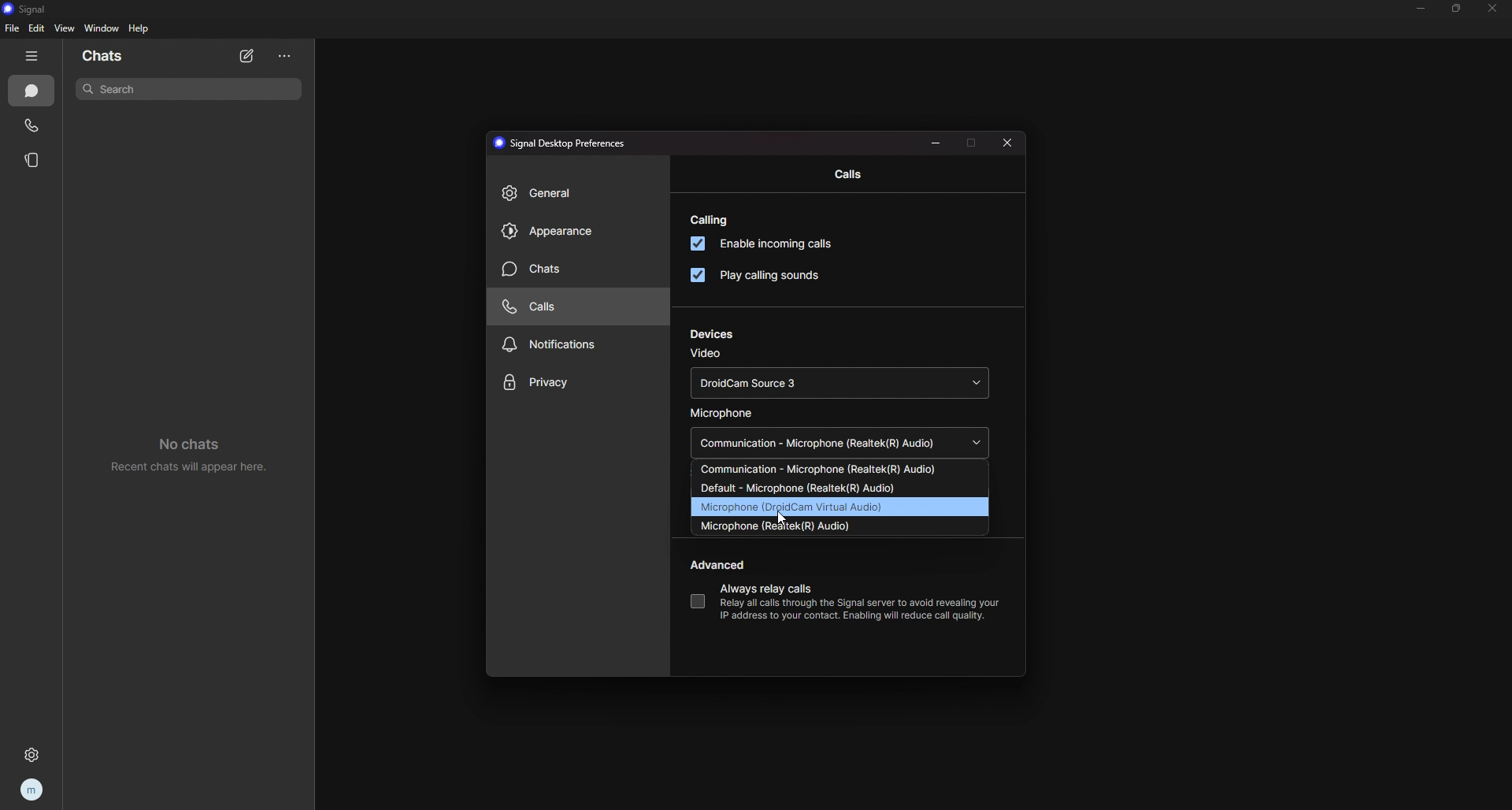 This screenshot has width=1512, height=810. I want to click on edit, so click(38, 28).